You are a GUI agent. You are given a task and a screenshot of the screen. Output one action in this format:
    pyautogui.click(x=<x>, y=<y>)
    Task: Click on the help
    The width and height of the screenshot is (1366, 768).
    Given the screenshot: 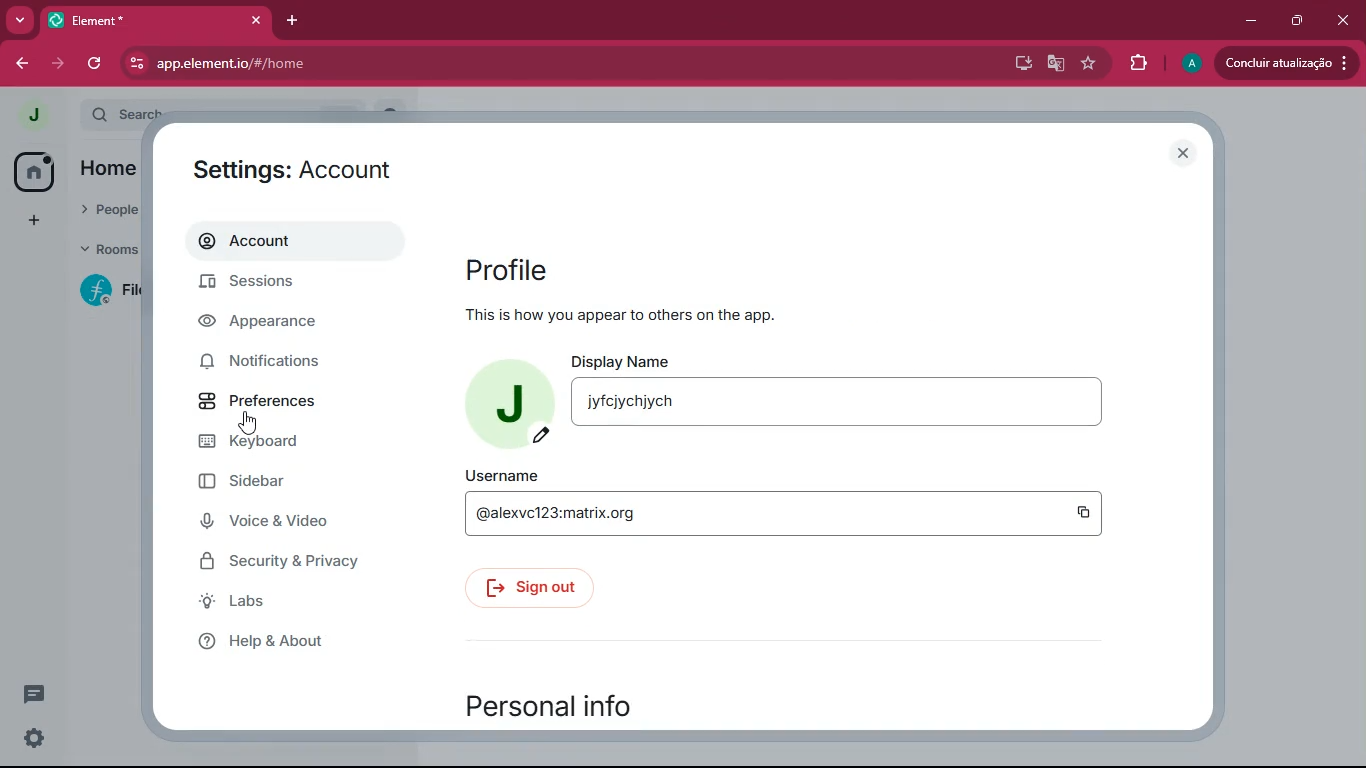 What is the action you would take?
    pyautogui.click(x=283, y=645)
    